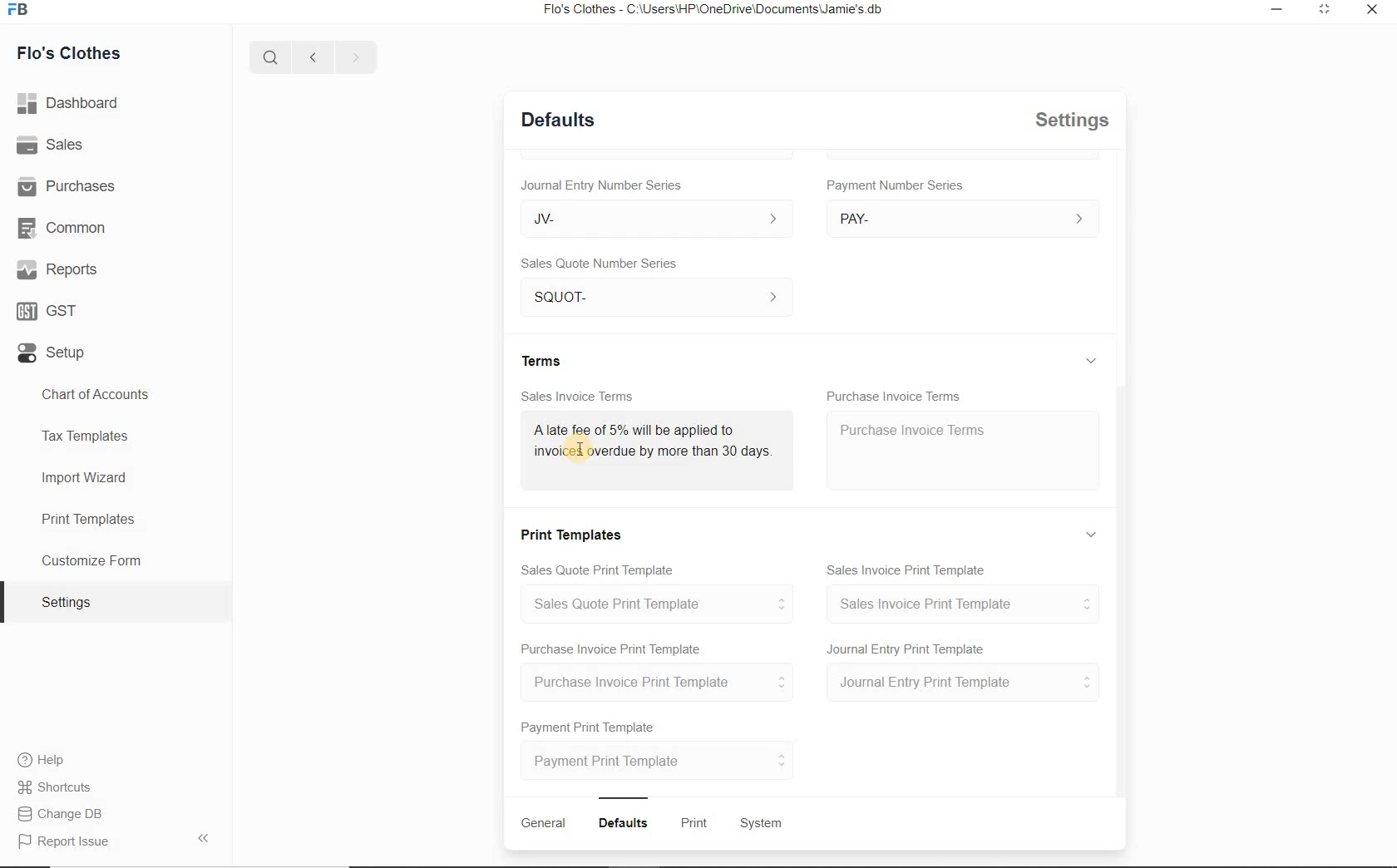 Image resolution: width=1397 pixels, height=868 pixels. What do you see at coordinates (66, 229) in the screenshot?
I see `Common` at bounding box center [66, 229].